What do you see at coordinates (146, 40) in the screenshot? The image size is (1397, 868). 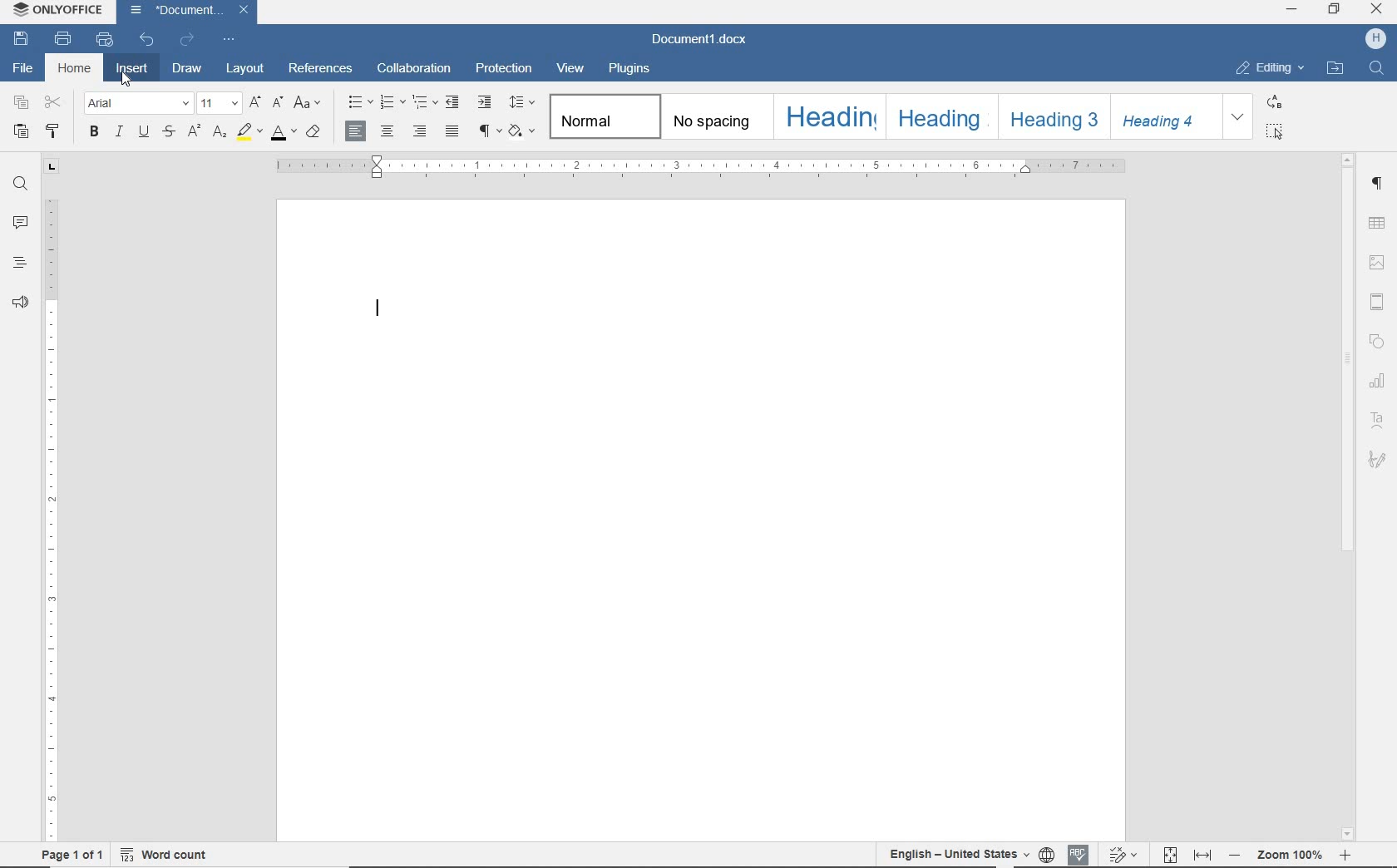 I see `undo` at bounding box center [146, 40].